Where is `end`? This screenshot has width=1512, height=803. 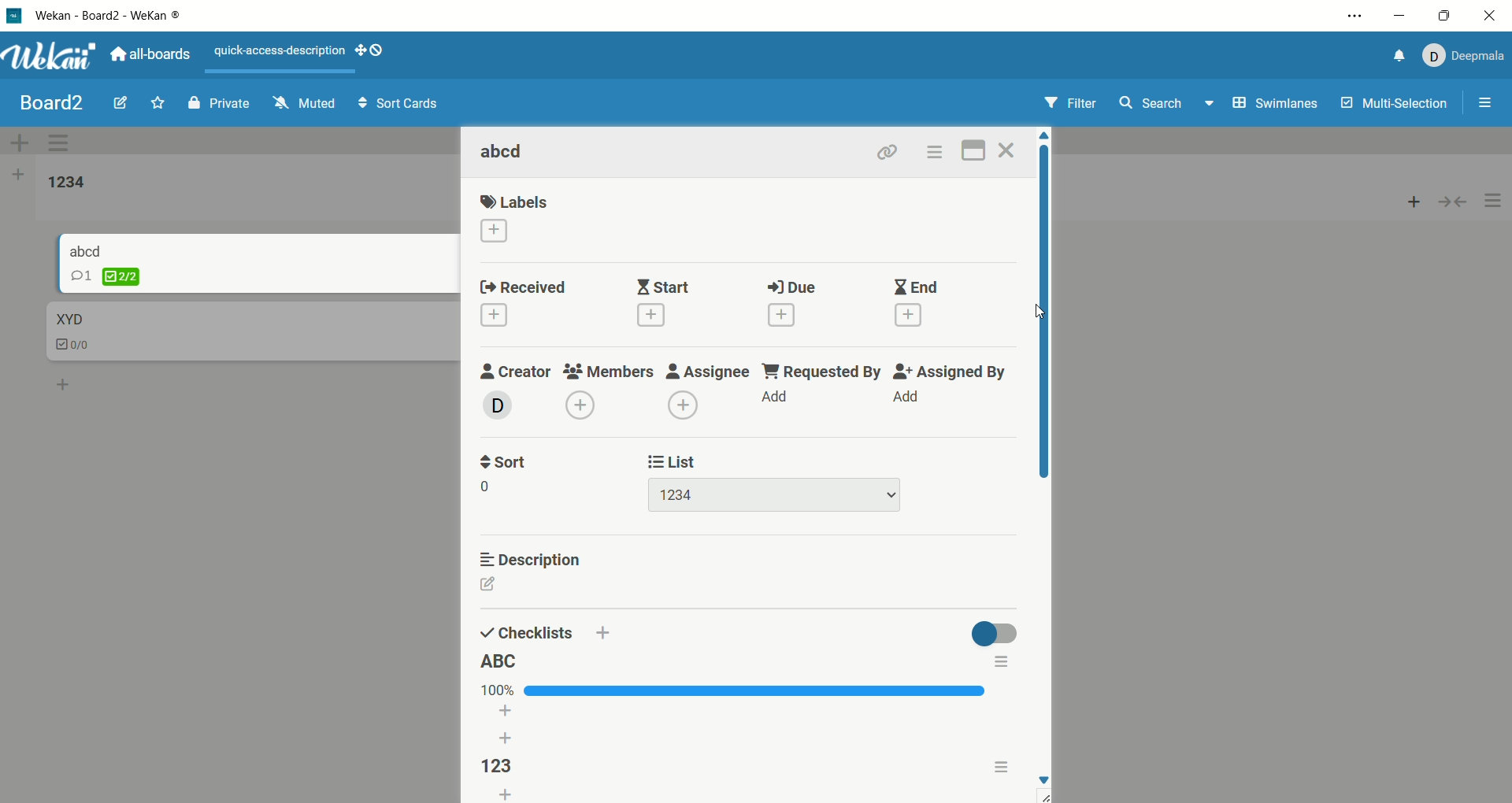
end is located at coordinates (918, 287).